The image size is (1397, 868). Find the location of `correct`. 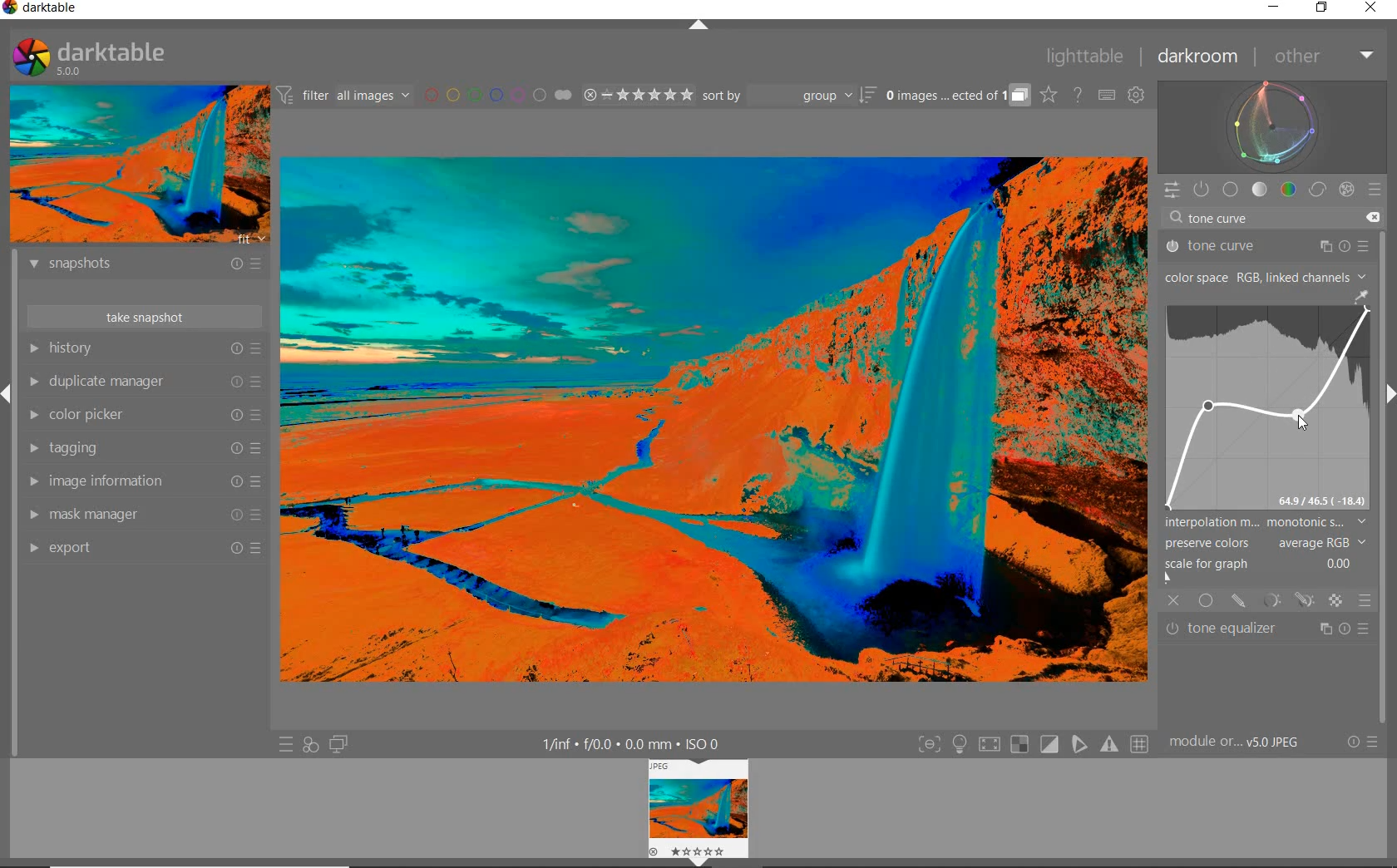

correct is located at coordinates (1316, 189).